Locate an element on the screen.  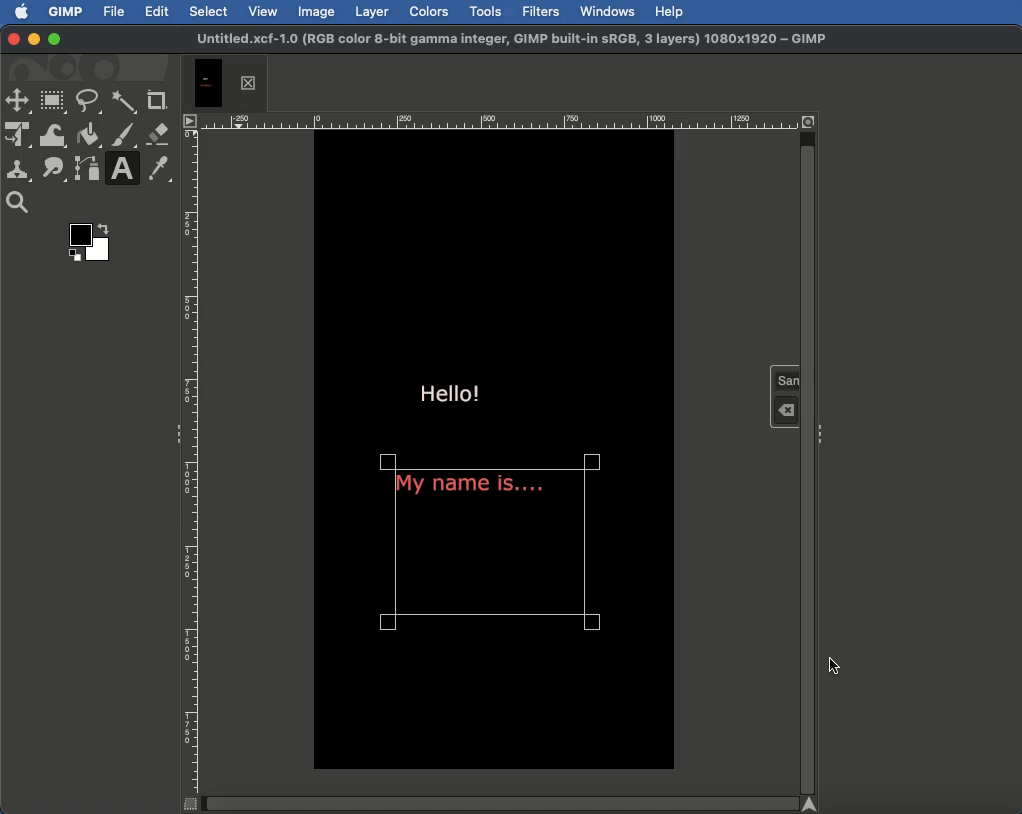
Image is located at coordinates (317, 12).